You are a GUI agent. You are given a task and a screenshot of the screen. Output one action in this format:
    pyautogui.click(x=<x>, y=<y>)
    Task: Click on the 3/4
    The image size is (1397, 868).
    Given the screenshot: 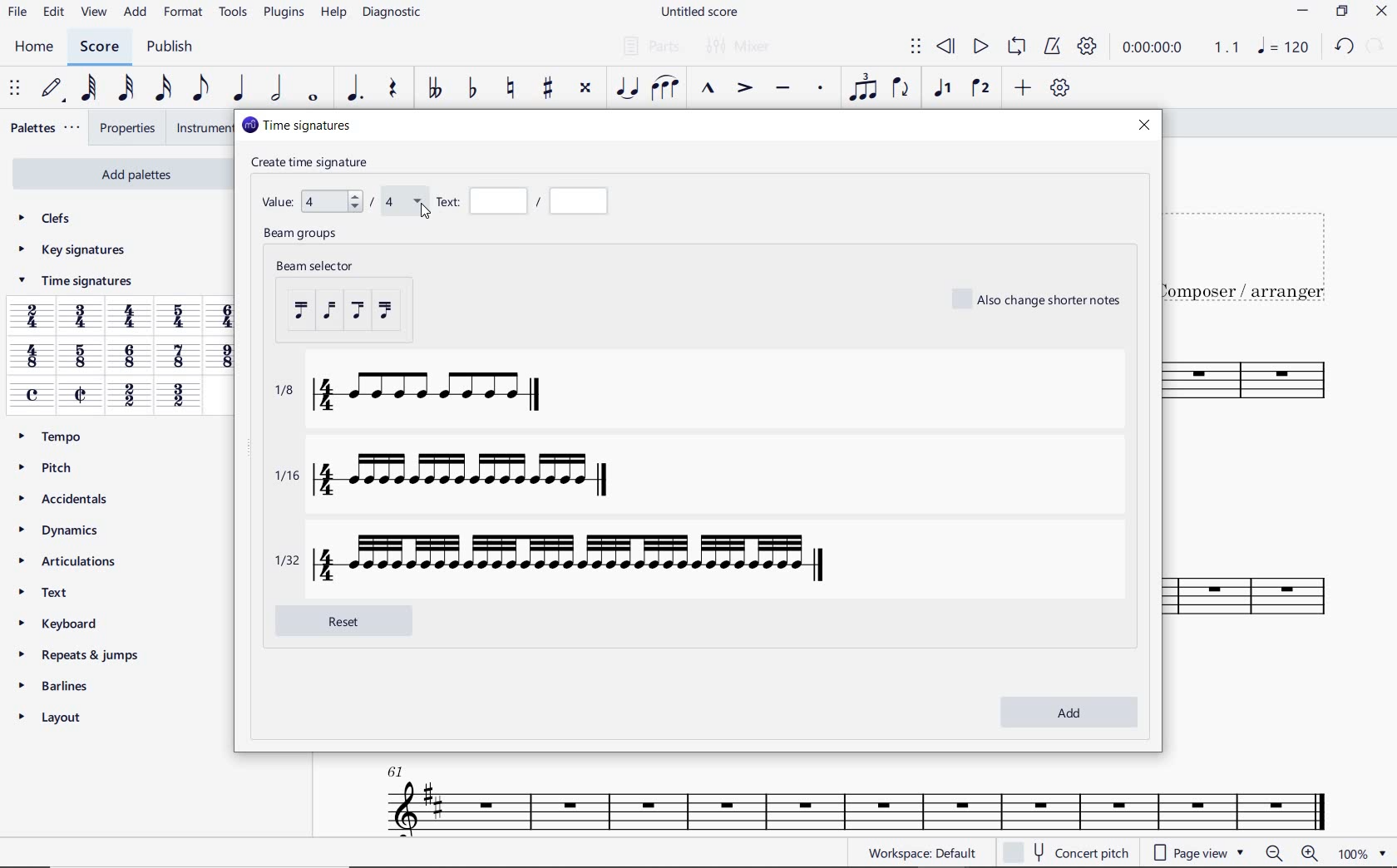 What is the action you would take?
    pyautogui.click(x=82, y=318)
    